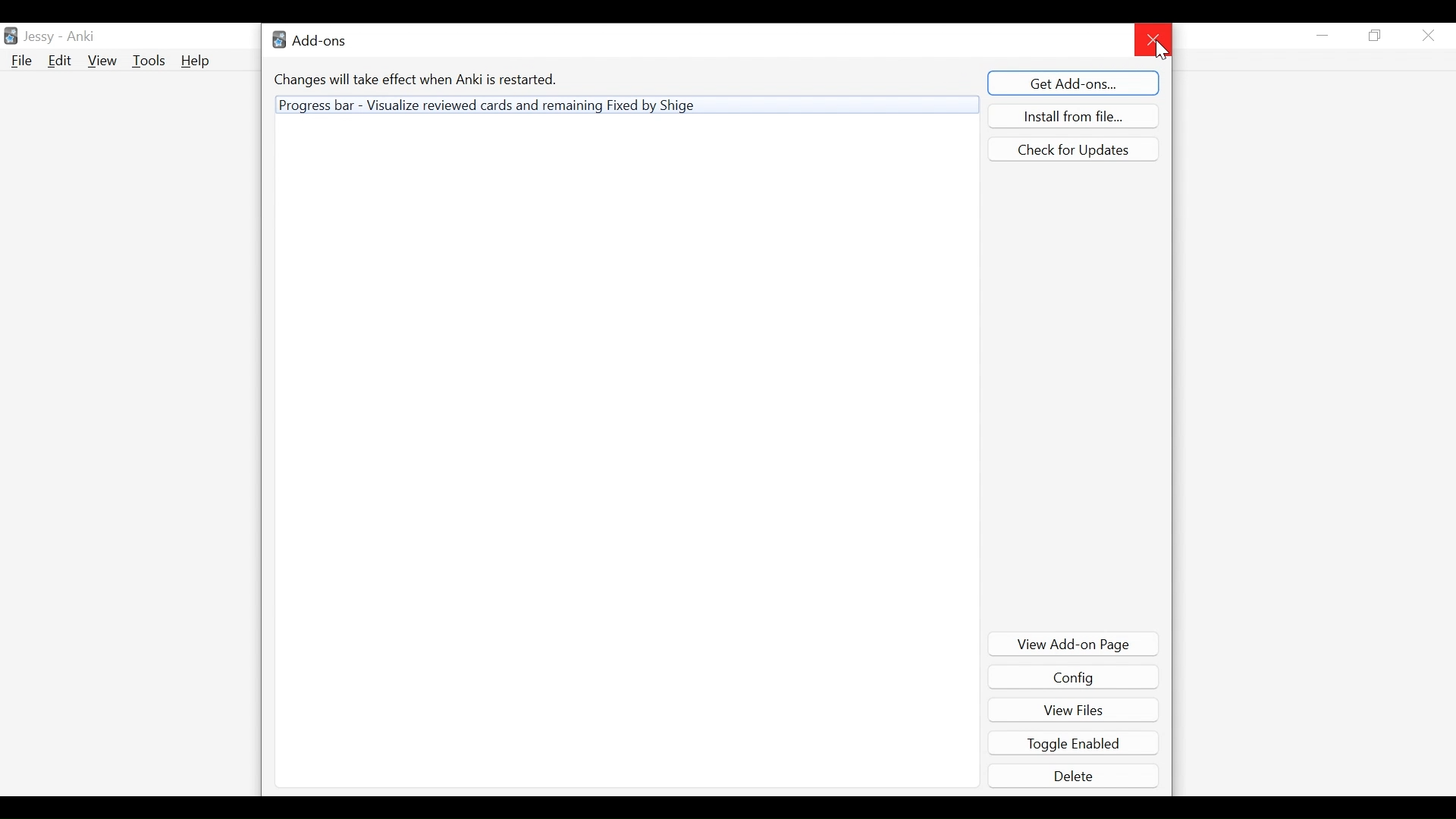 This screenshot has width=1456, height=819. I want to click on Cursor, so click(1159, 51).